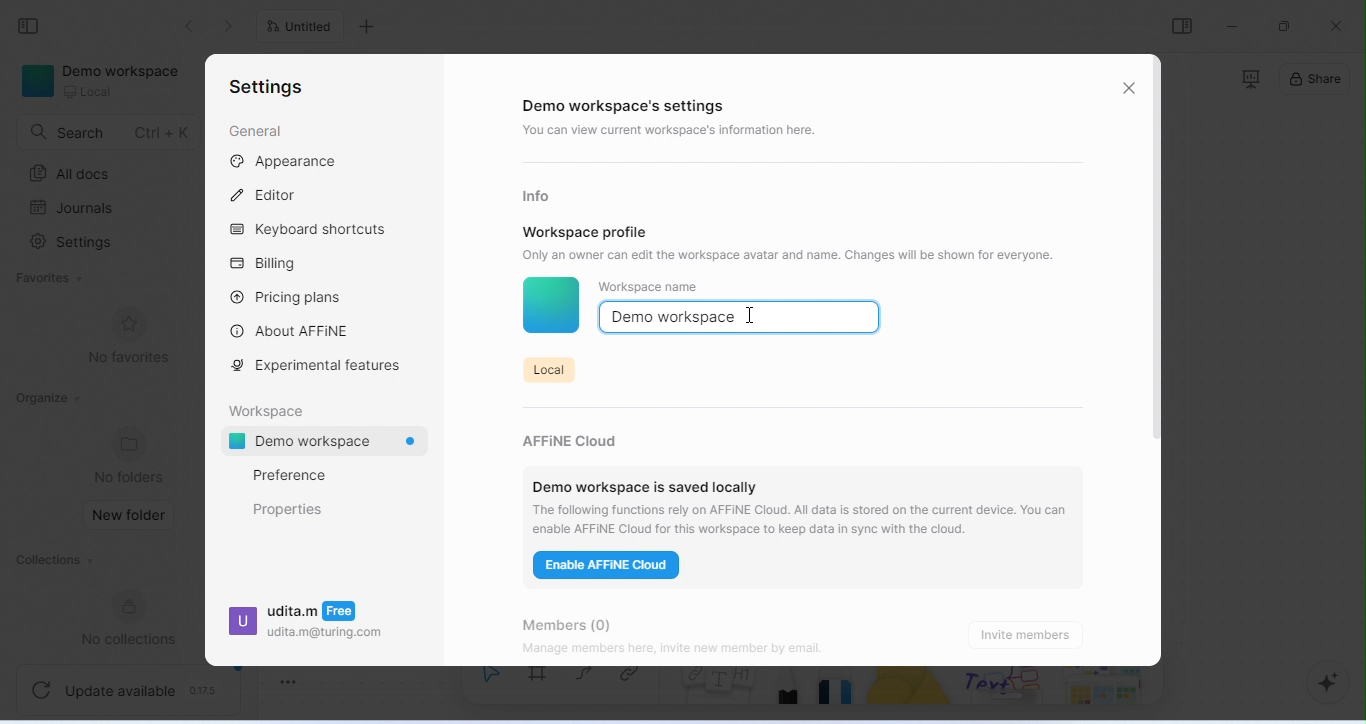 This screenshot has width=1366, height=724. What do you see at coordinates (1103, 688) in the screenshot?
I see `arrows and more` at bounding box center [1103, 688].